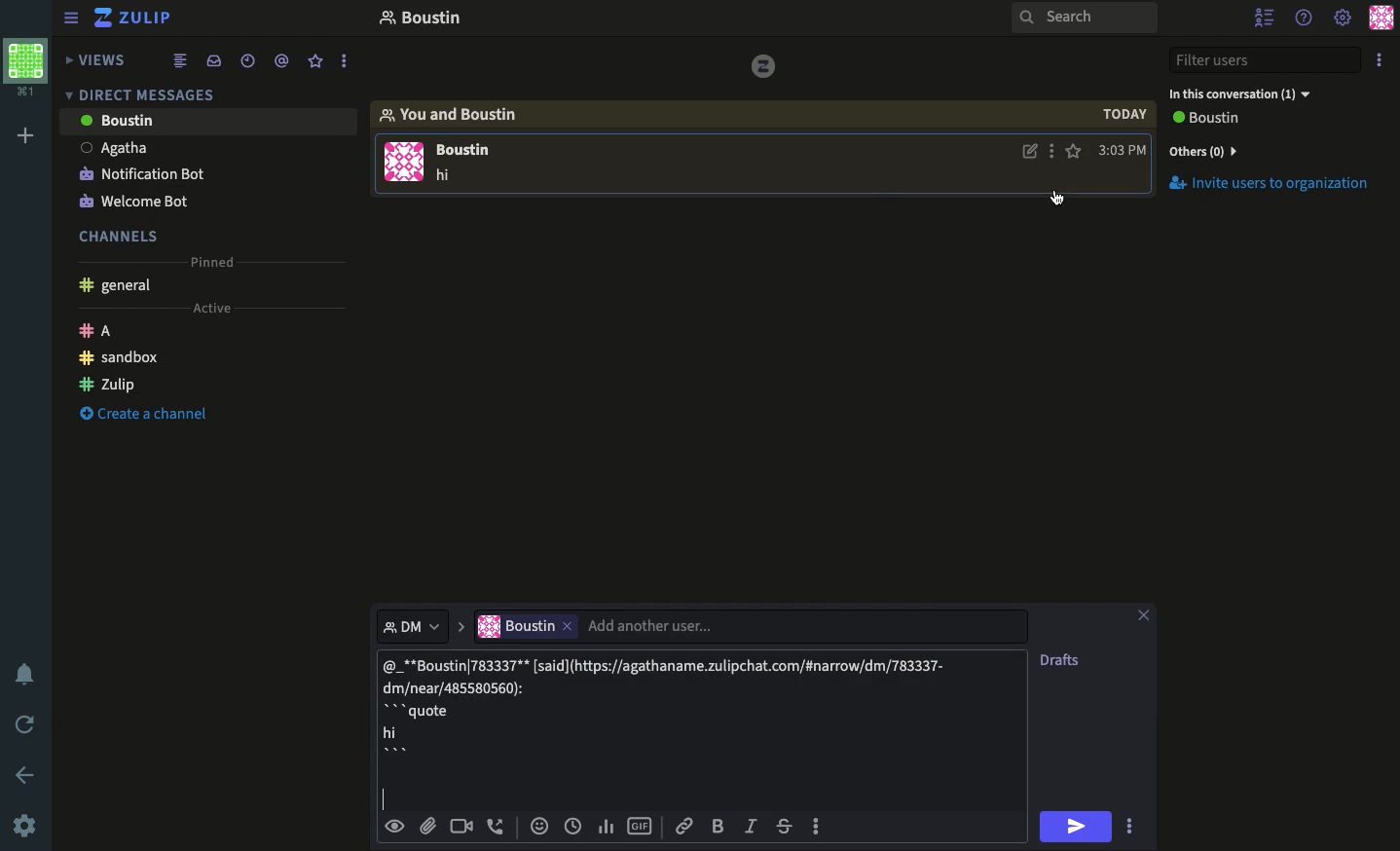 This screenshot has height=851, width=1400. What do you see at coordinates (1305, 17) in the screenshot?
I see `Help` at bounding box center [1305, 17].